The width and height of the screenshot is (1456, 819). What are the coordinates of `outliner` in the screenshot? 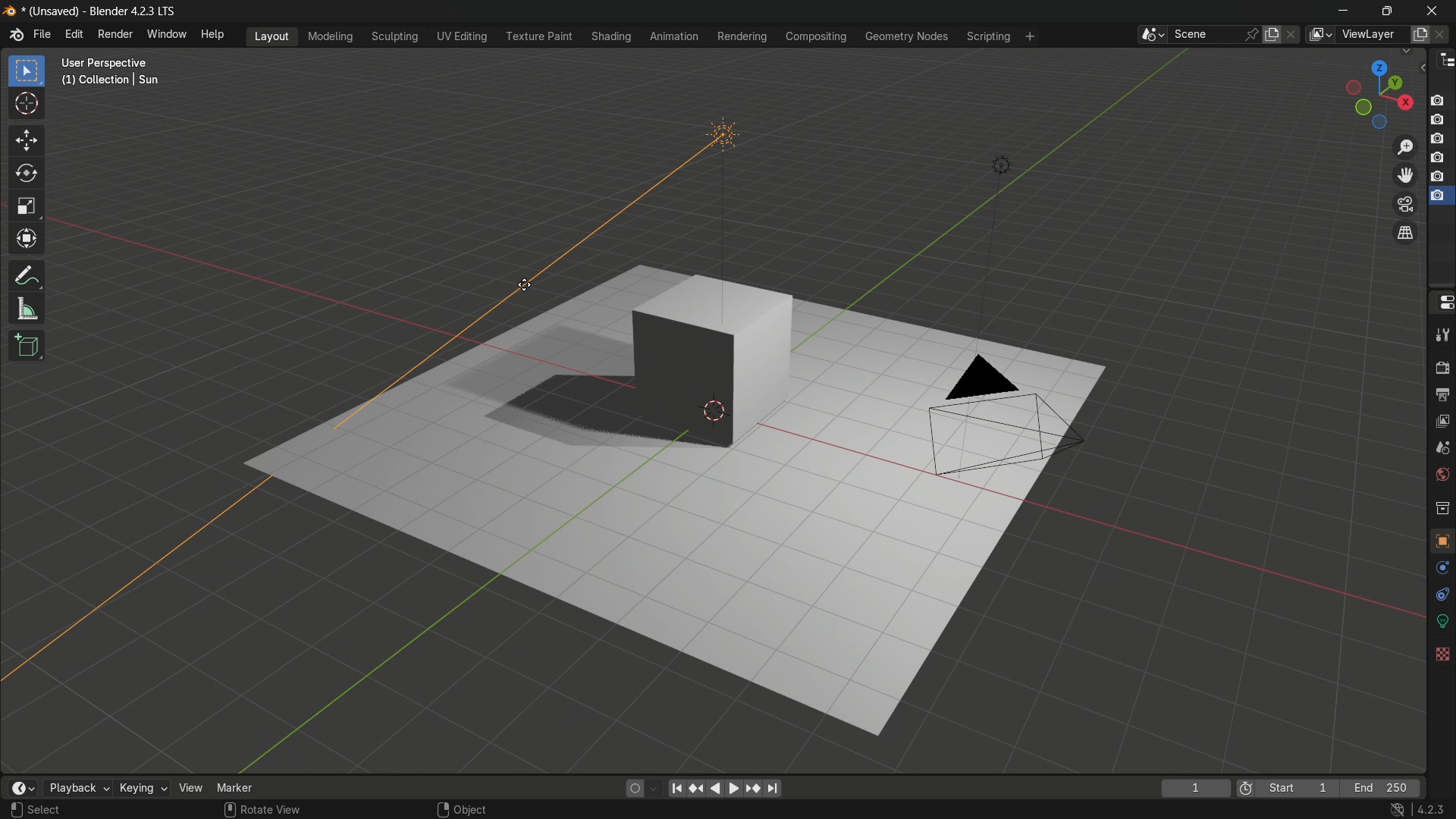 It's located at (1446, 62).